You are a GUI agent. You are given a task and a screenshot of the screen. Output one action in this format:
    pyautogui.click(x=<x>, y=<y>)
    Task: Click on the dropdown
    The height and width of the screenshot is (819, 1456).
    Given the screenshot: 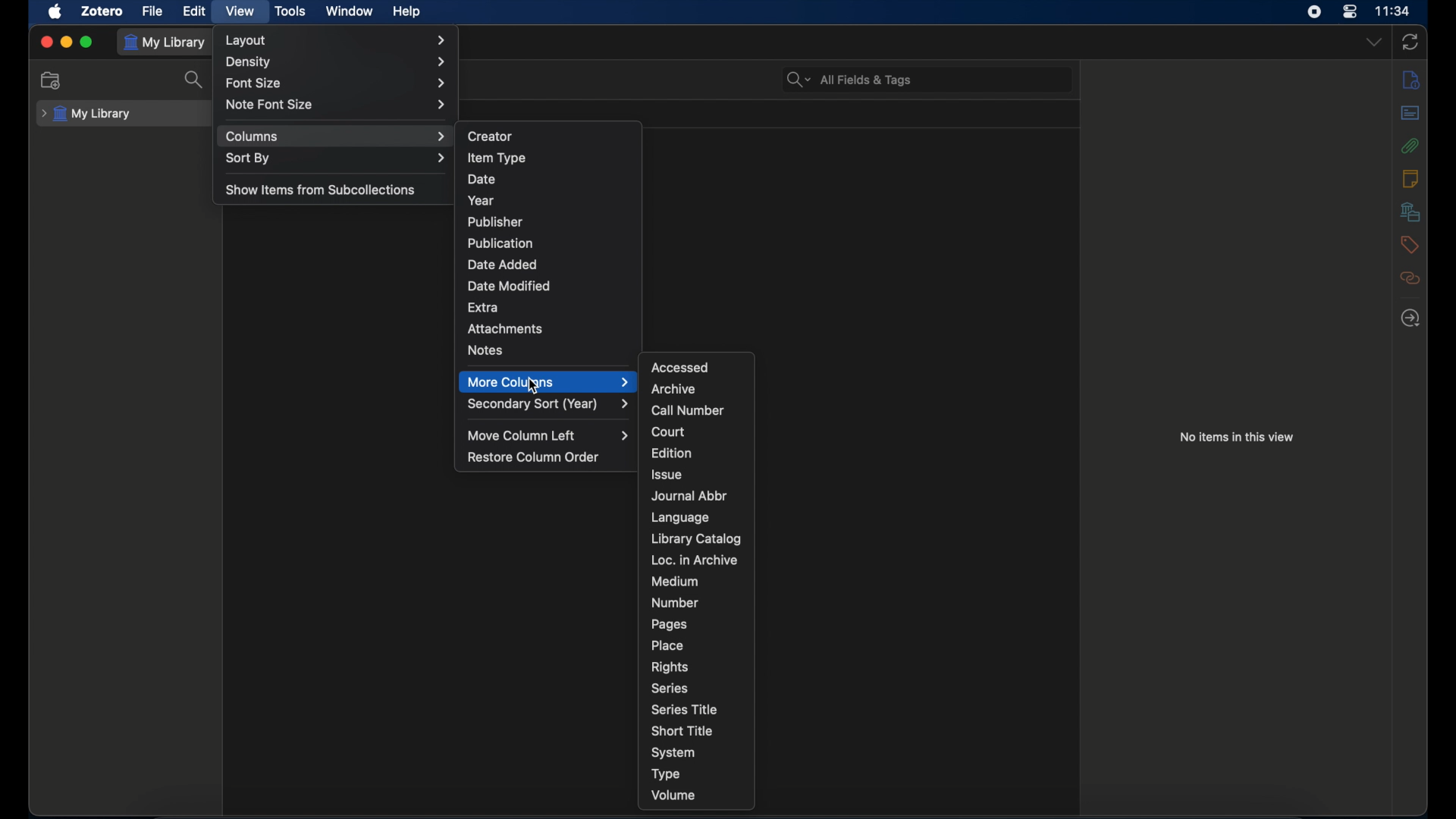 What is the action you would take?
    pyautogui.click(x=1373, y=42)
    